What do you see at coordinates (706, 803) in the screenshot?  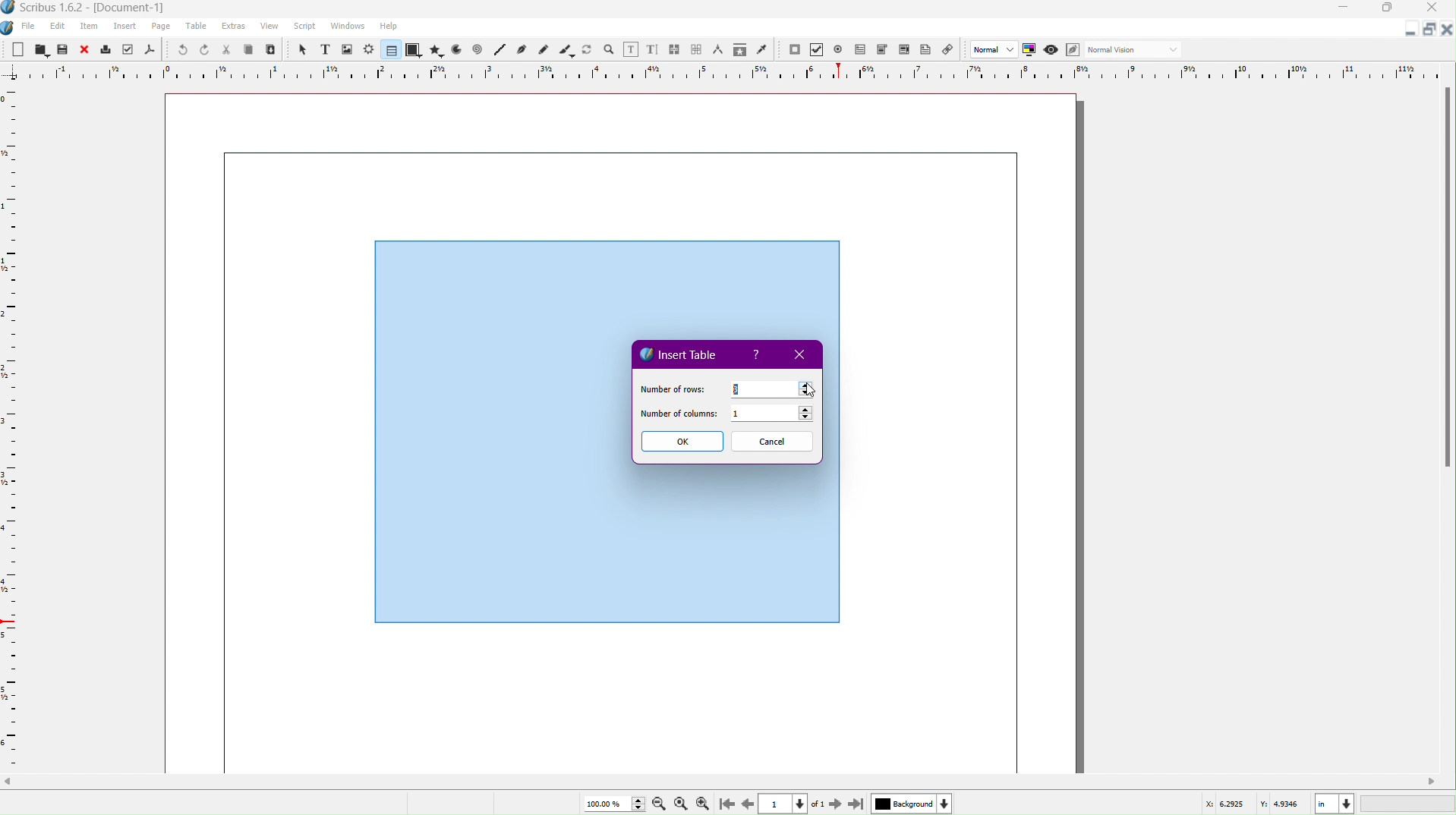 I see `Zoom In` at bounding box center [706, 803].